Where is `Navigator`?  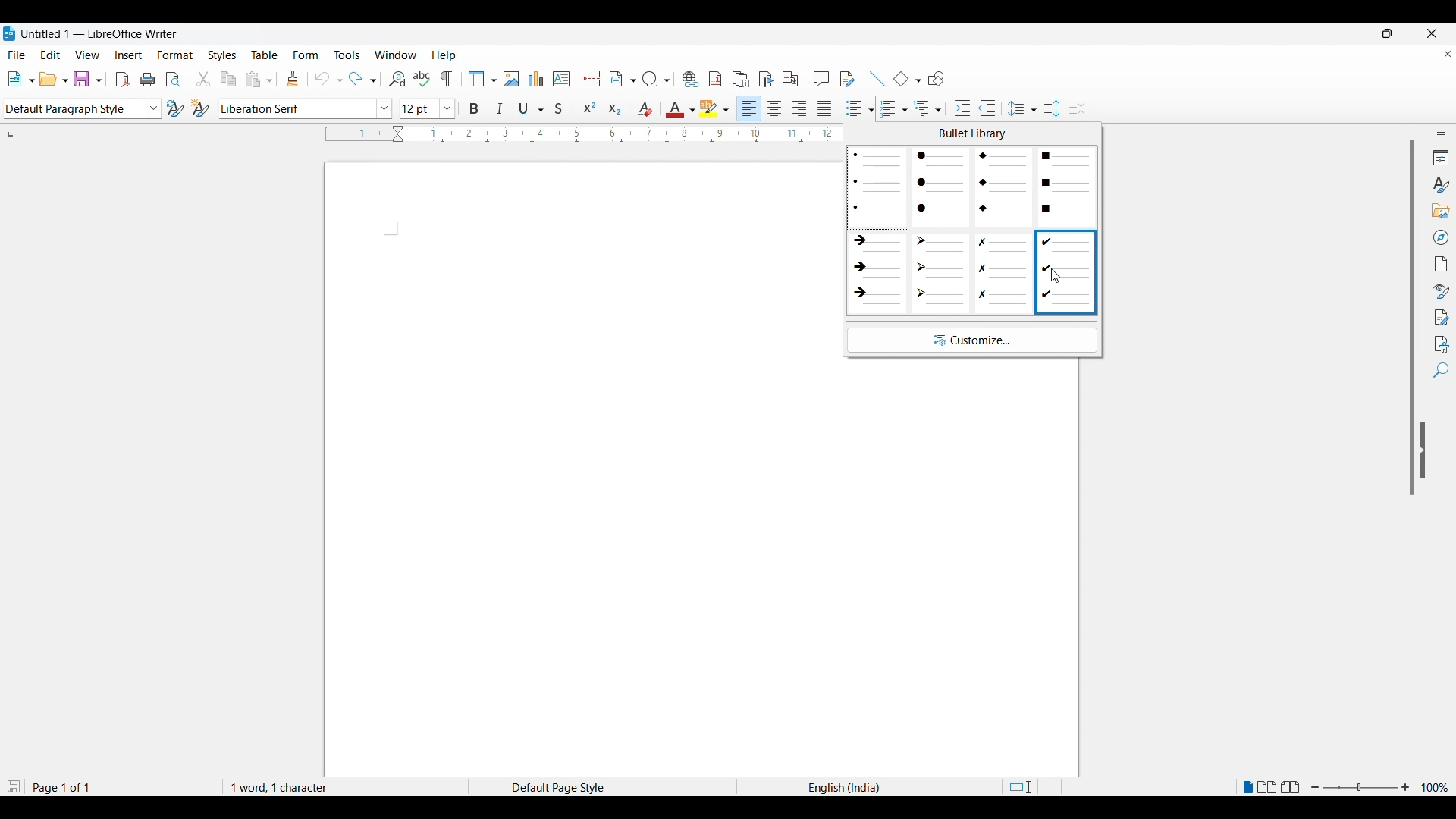 Navigator is located at coordinates (1439, 236).